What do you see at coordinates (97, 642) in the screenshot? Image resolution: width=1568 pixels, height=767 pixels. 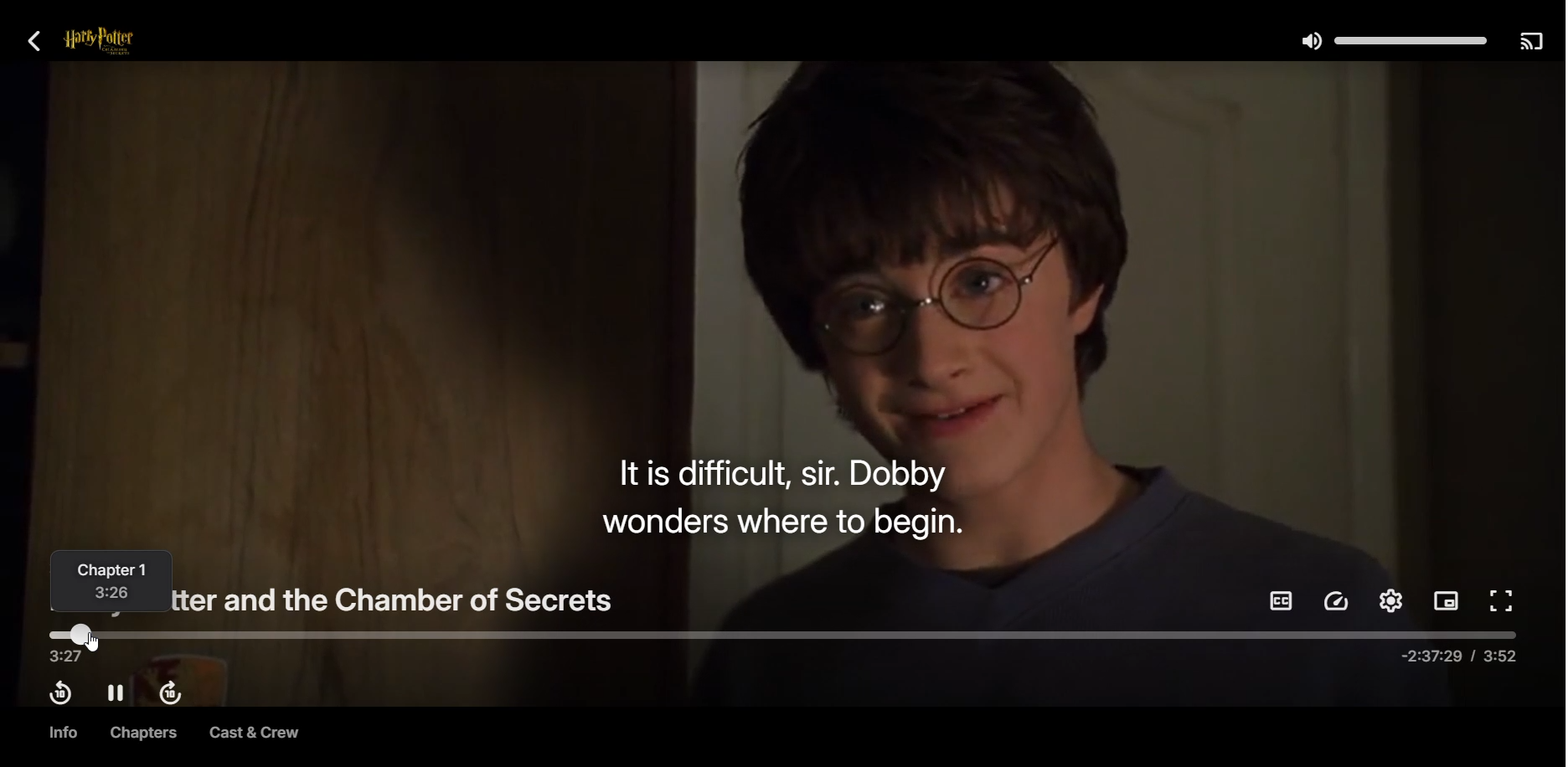 I see `Cursor` at bounding box center [97, 642].